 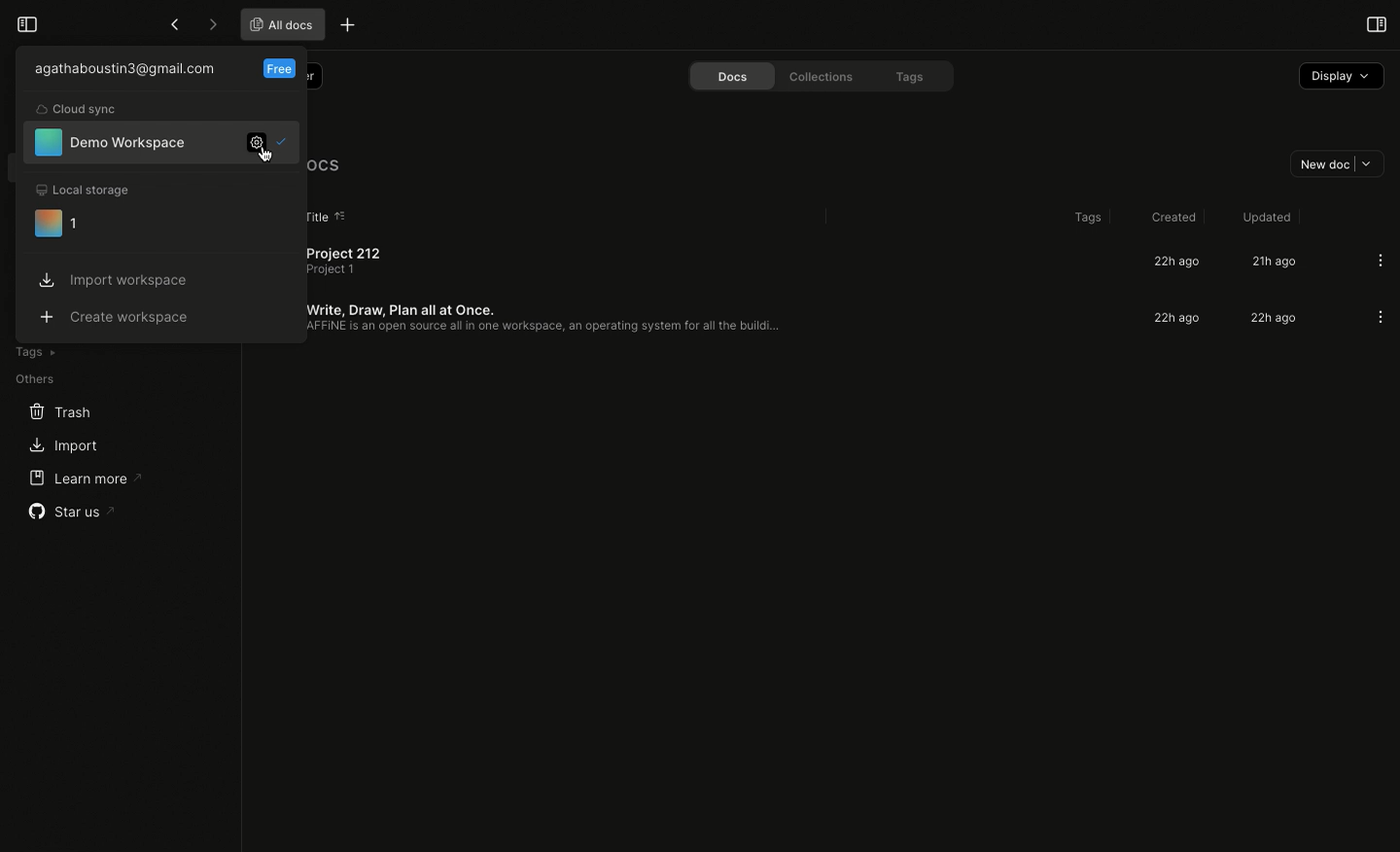 I want to click on Learn more, so click(x=84, y=478).